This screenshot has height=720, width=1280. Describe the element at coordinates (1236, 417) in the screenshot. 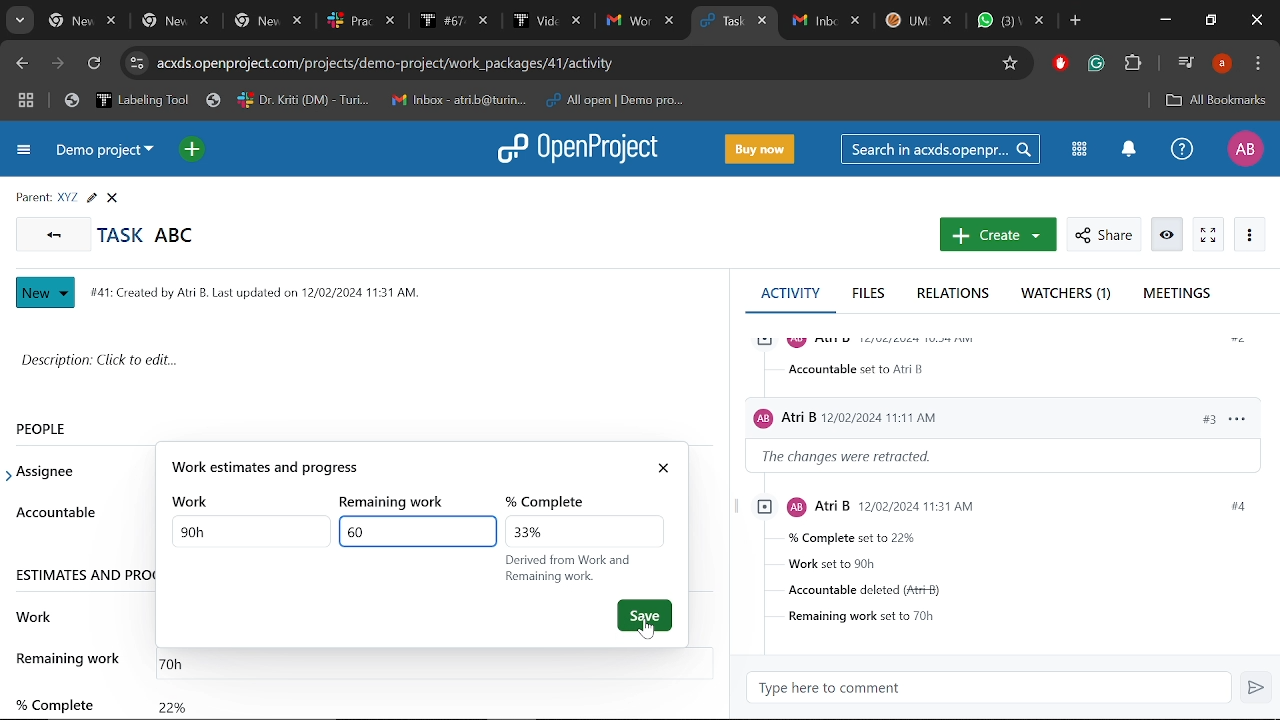

I see `options` at that location.